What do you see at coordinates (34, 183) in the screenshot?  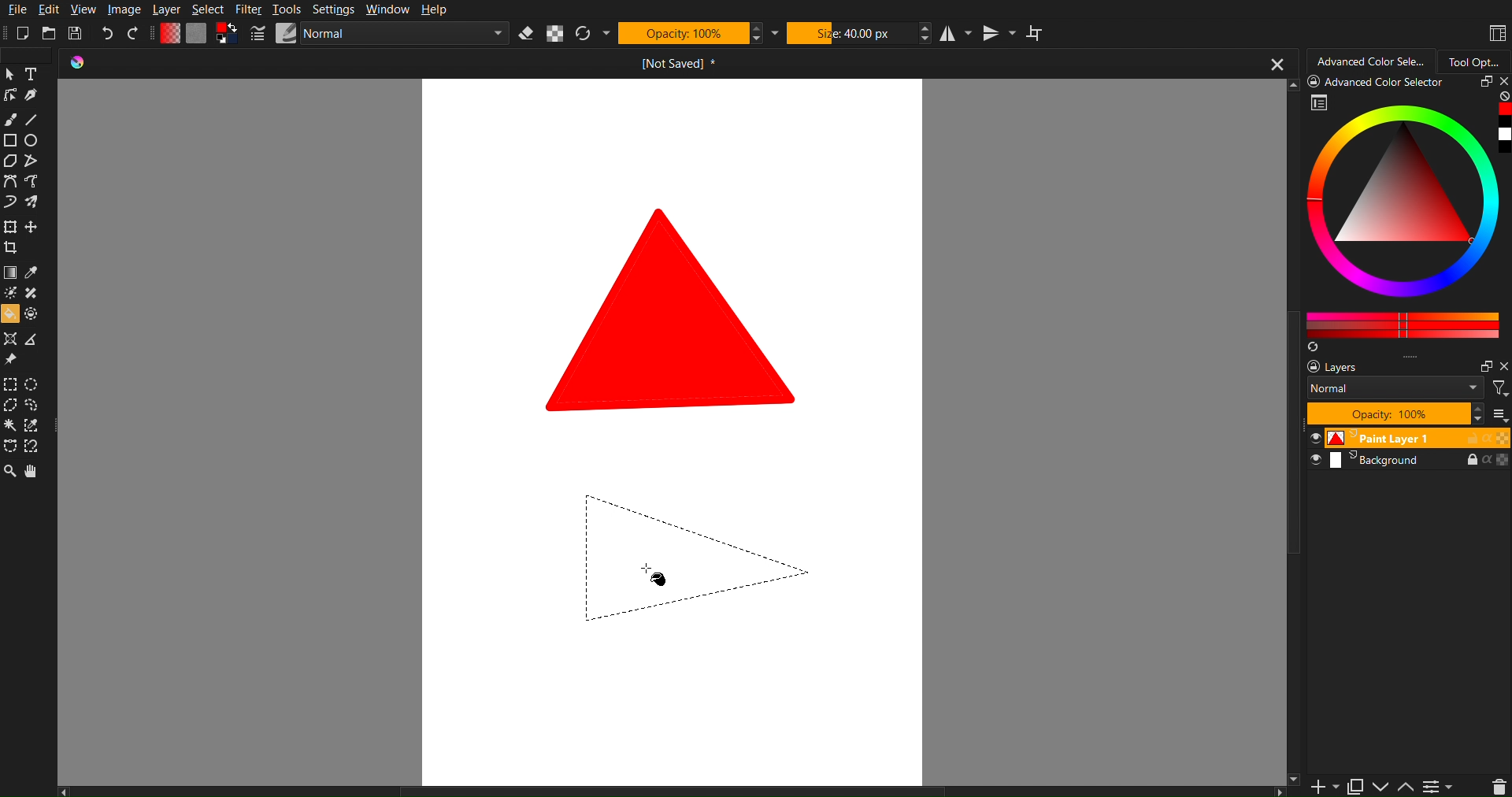 I see `Free shape` at bounding box center [34, 183].